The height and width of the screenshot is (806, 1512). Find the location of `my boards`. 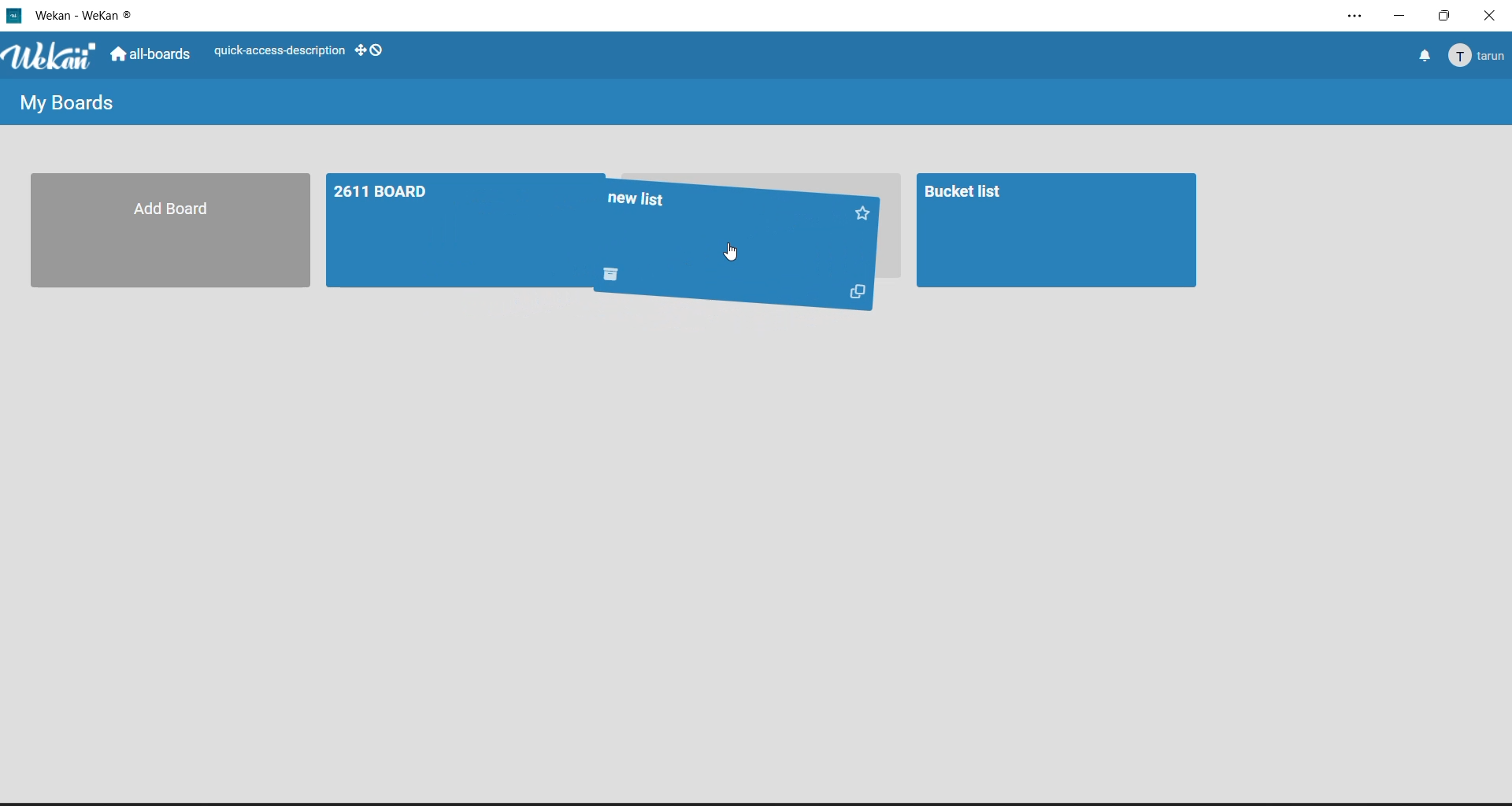

my boards is located at coordinates (65, 105).